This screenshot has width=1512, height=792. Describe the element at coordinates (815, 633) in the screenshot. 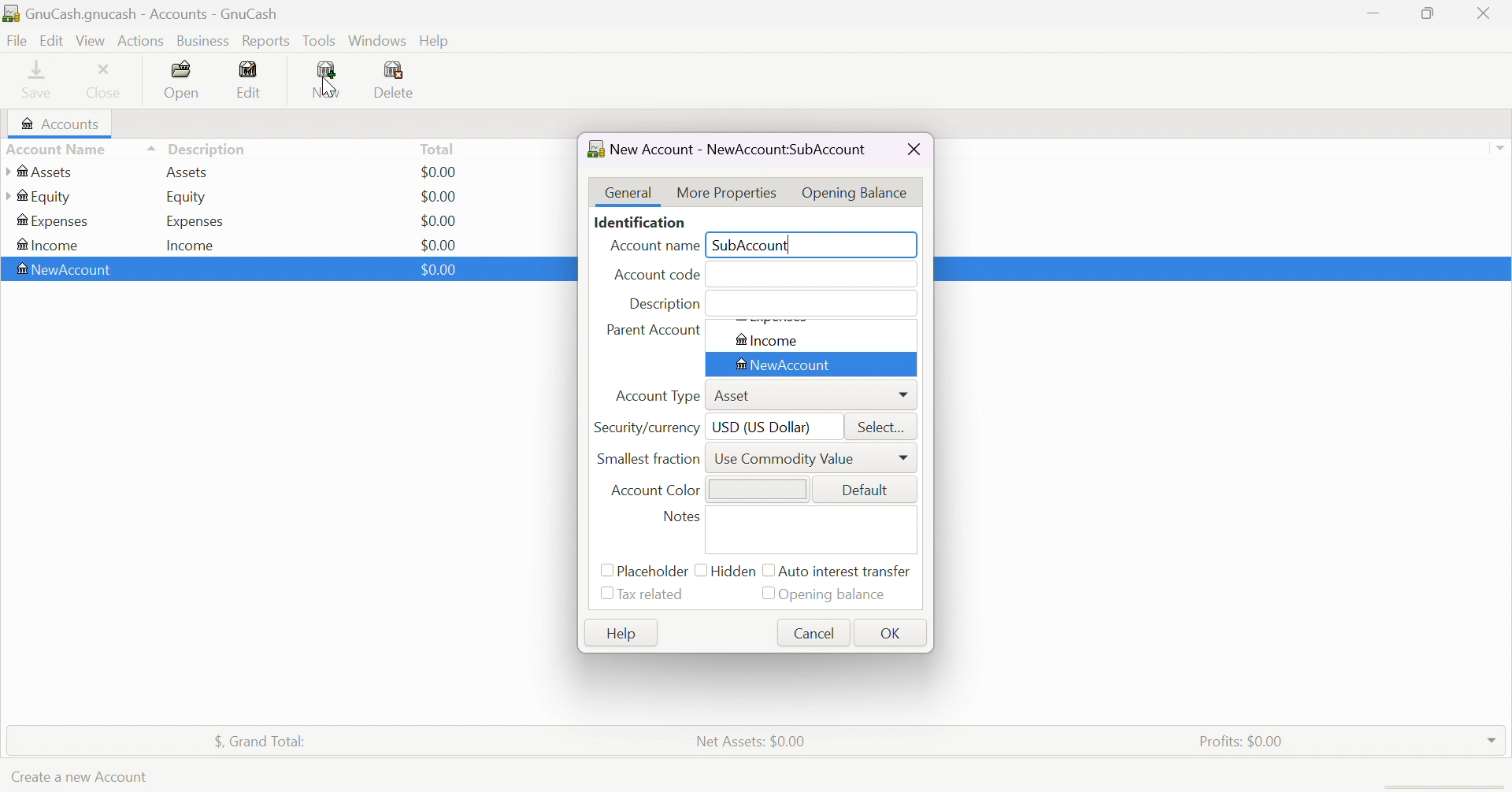

I see `Cancel` at that location.